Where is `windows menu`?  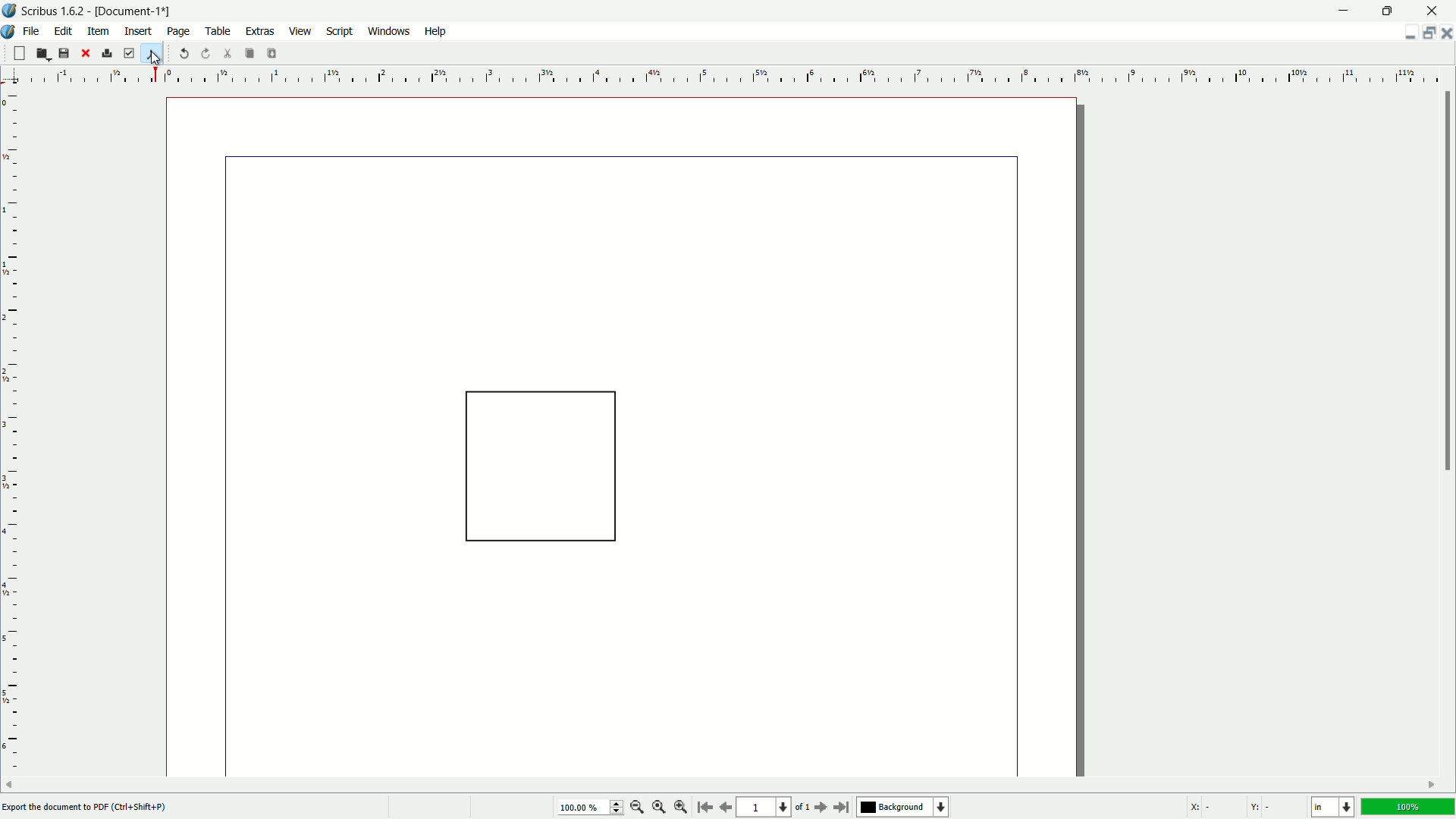 windows menu is located at coordinates (388, 32).